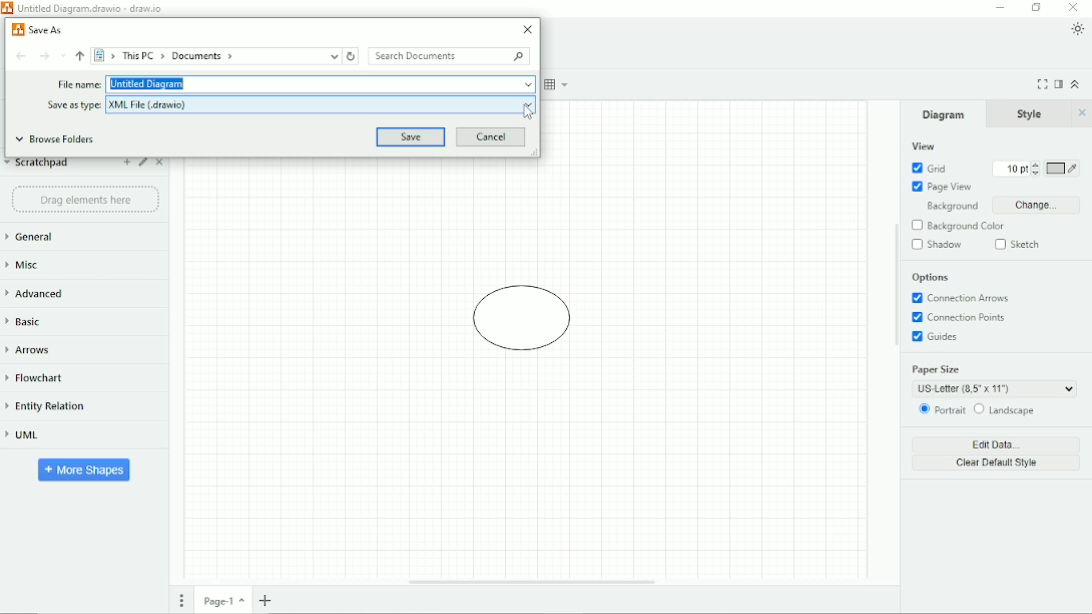 The width and height of the screenshot is (1092, 614). I want to click on Close, so click(528, 30).